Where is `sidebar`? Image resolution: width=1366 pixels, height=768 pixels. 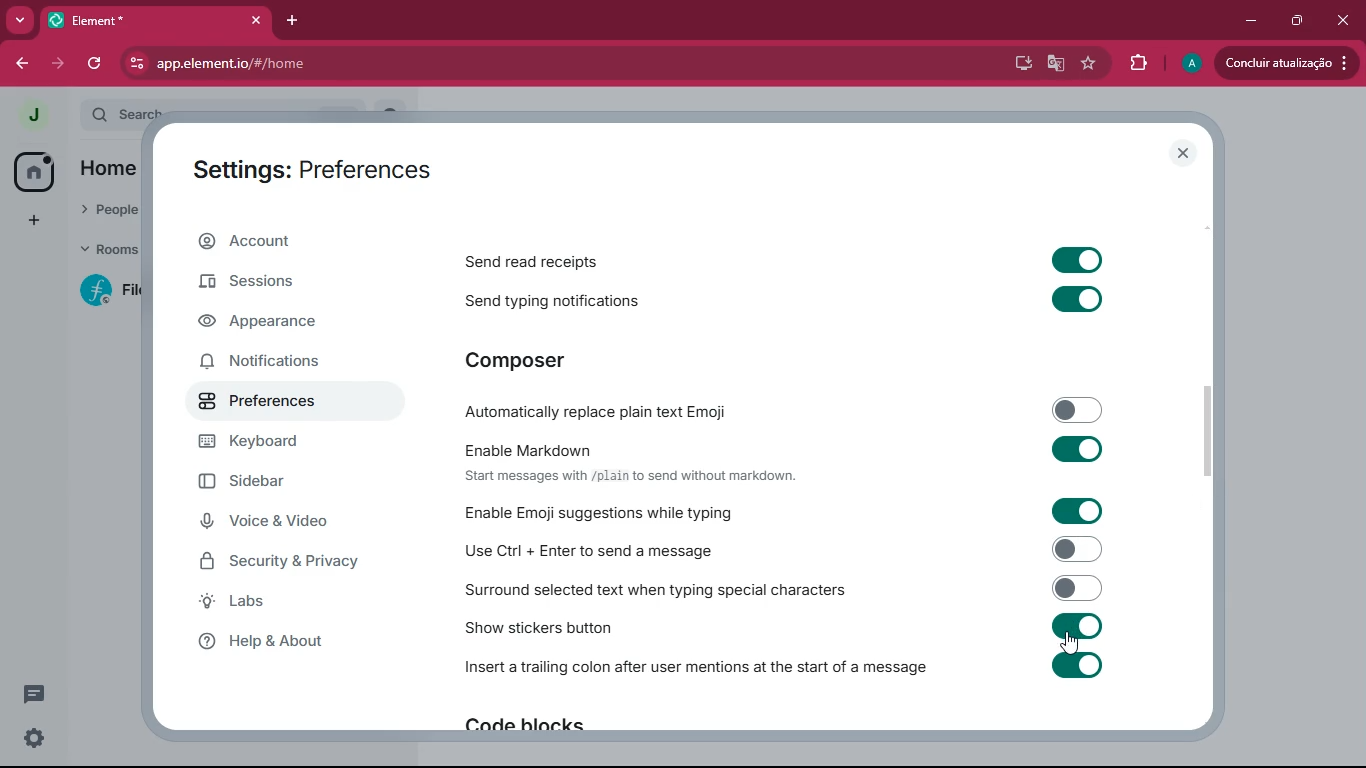
sidebar is located at coordinates (279, 483).